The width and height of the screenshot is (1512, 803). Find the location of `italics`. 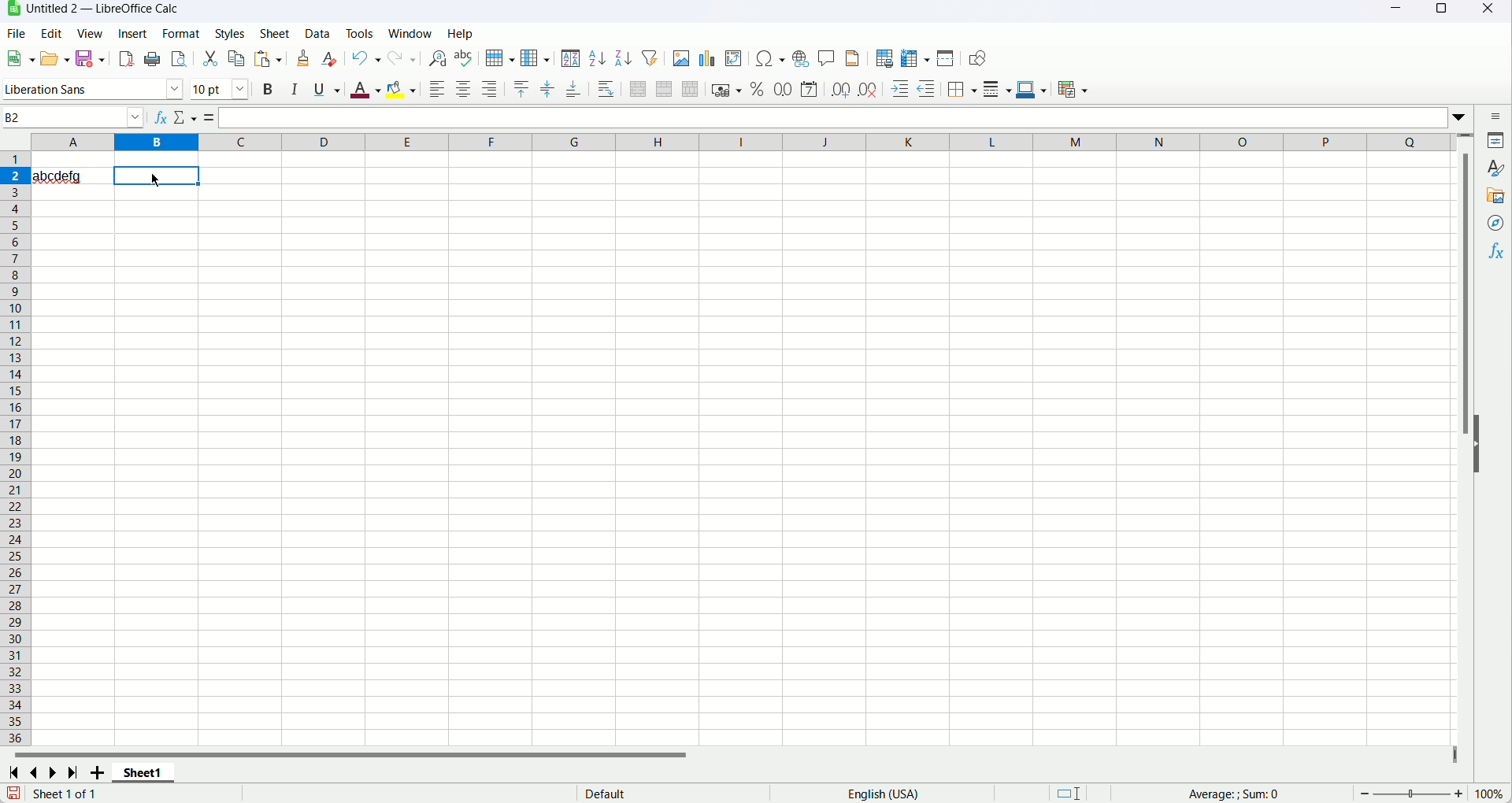

italics is located at coordinates (295, 89).